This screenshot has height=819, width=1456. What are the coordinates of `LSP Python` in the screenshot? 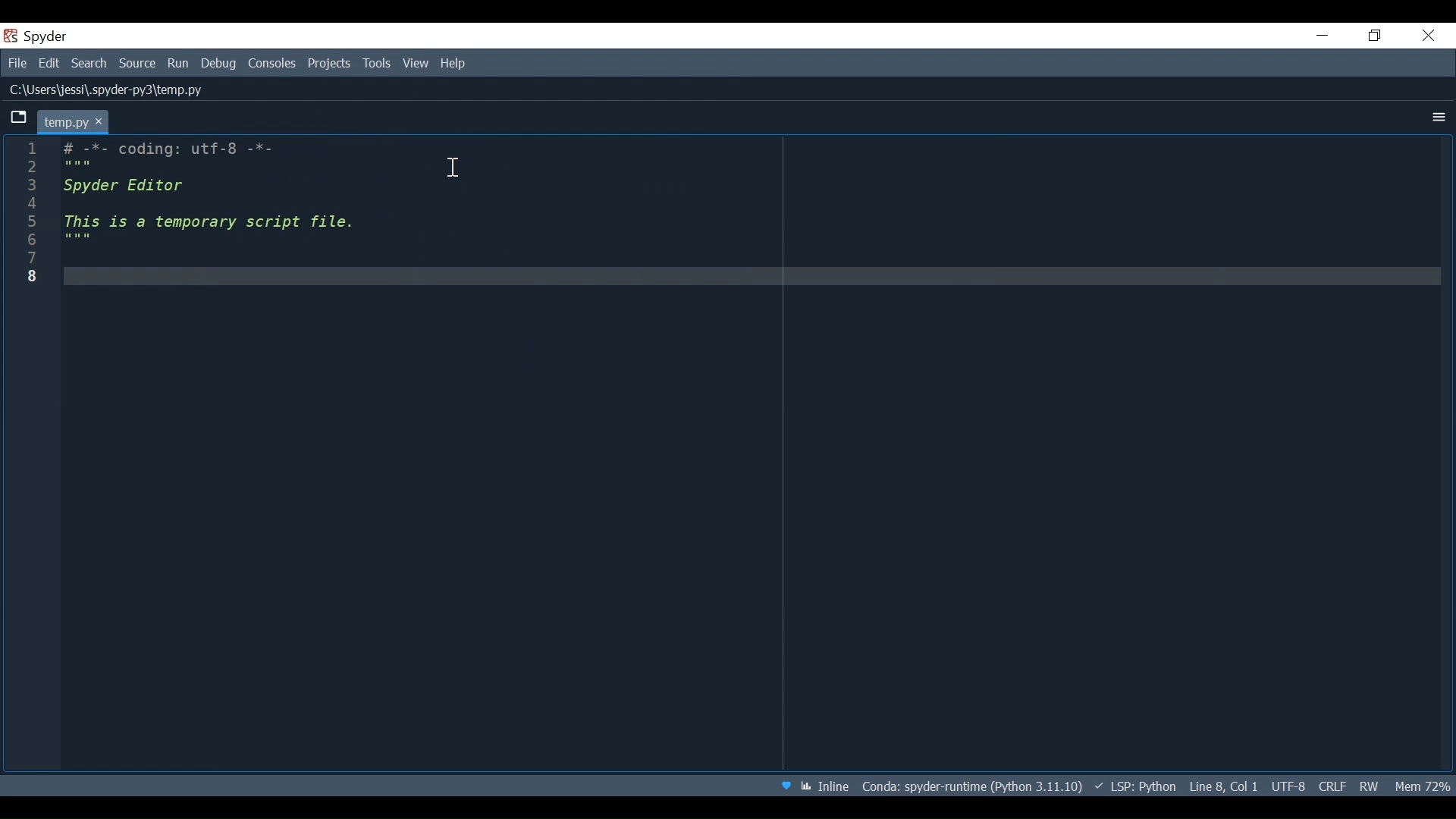 It's located at (1138, 786).